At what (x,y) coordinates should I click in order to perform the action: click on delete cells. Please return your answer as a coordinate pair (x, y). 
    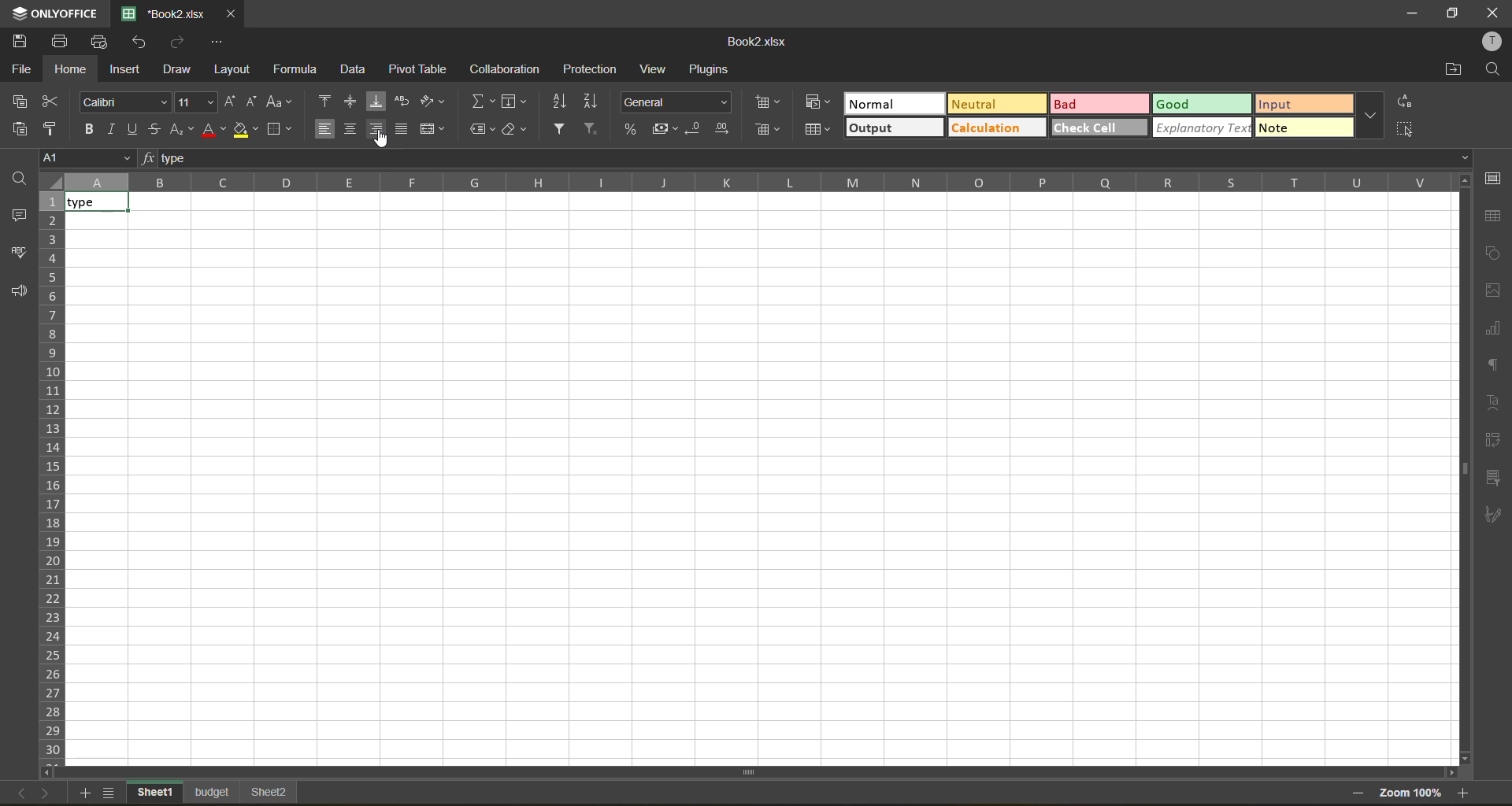
    Looking at the image, I should click on (769, 129).